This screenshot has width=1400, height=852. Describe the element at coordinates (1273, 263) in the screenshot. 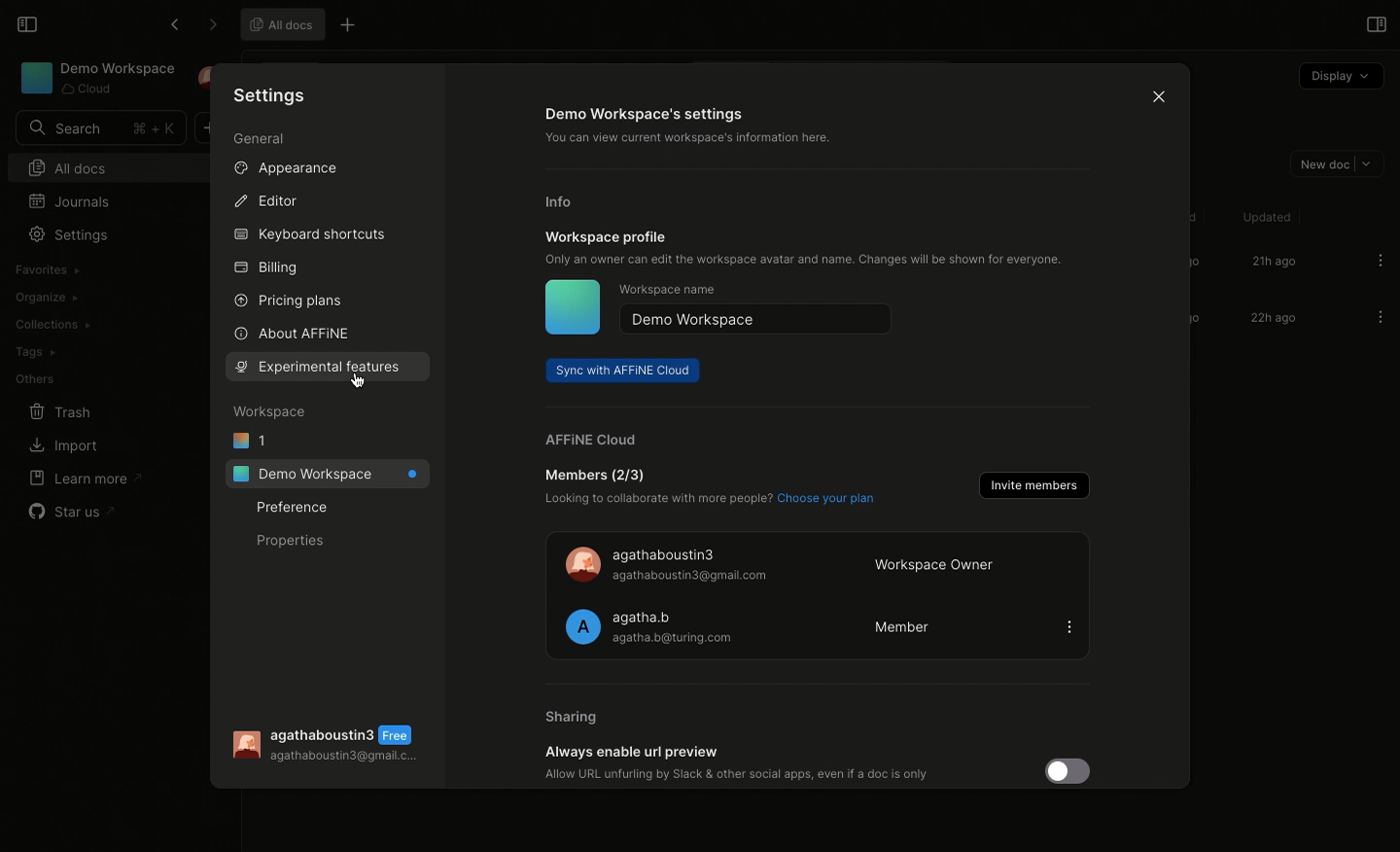

I see `21h ago` at that location.